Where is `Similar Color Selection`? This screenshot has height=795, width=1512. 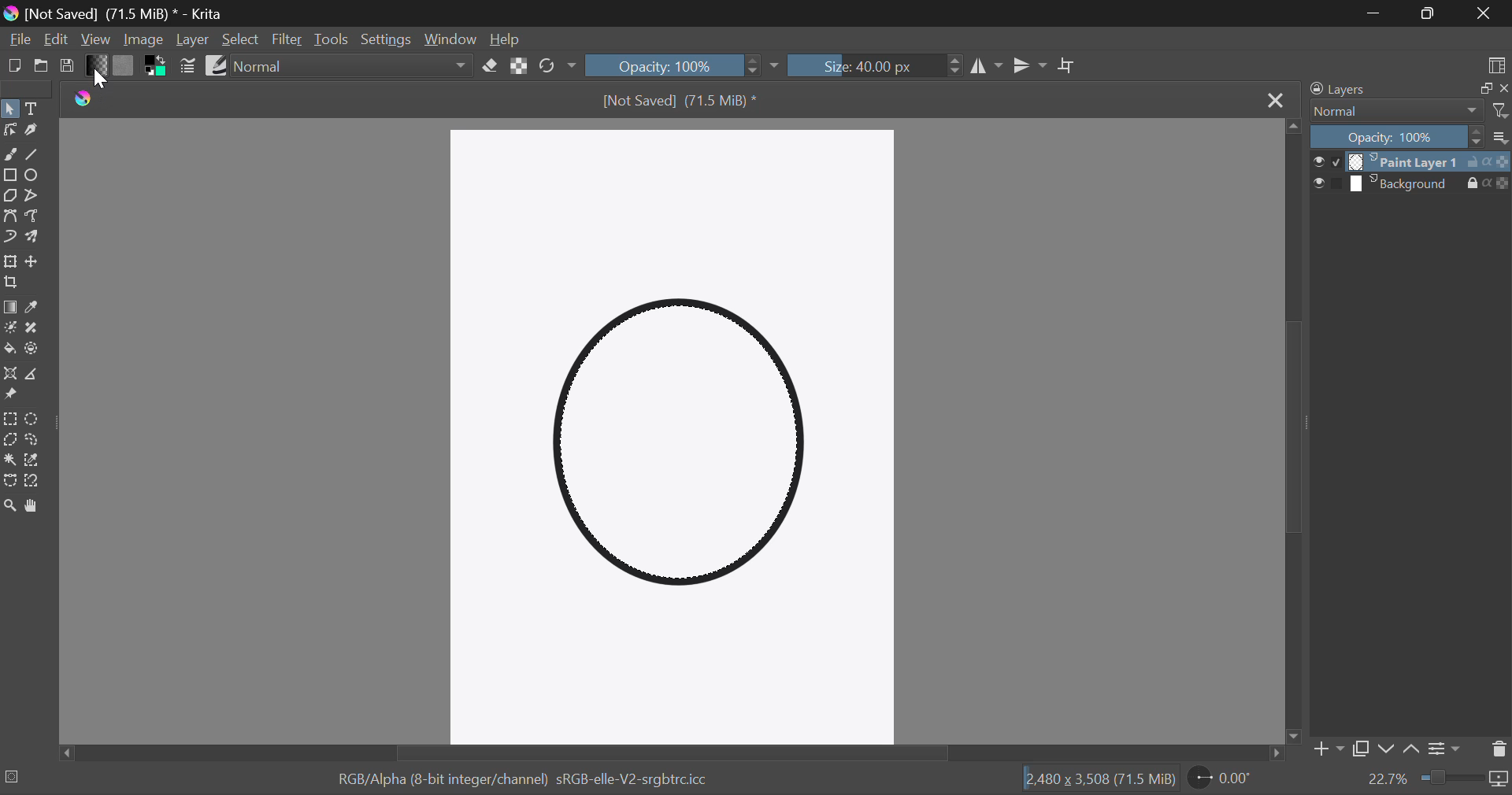 Similar Color Selection is located at coordinates (39, 459).